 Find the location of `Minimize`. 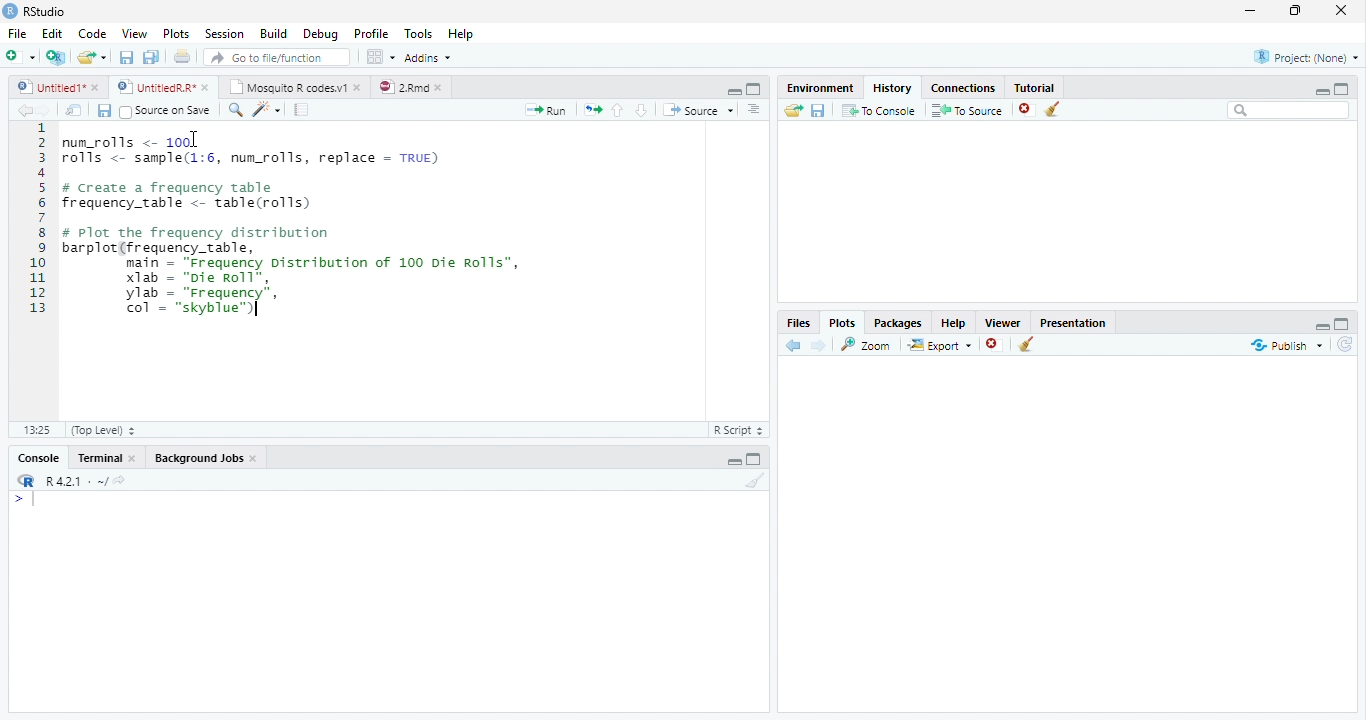

Minimize is located at coordinates (1251, 11).